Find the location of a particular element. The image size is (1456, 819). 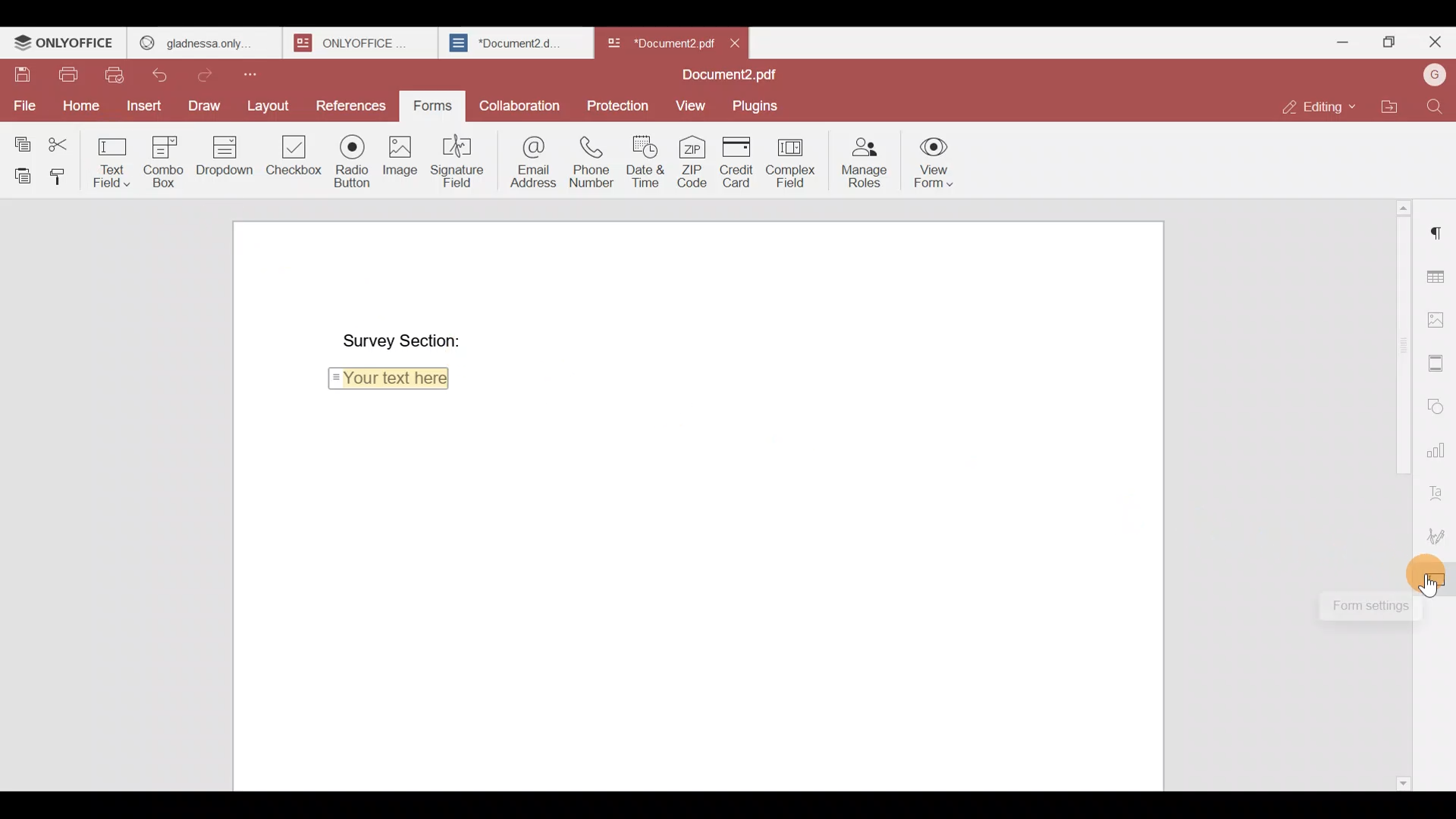

Header & footer settings is located at coordinates (1439, 367).